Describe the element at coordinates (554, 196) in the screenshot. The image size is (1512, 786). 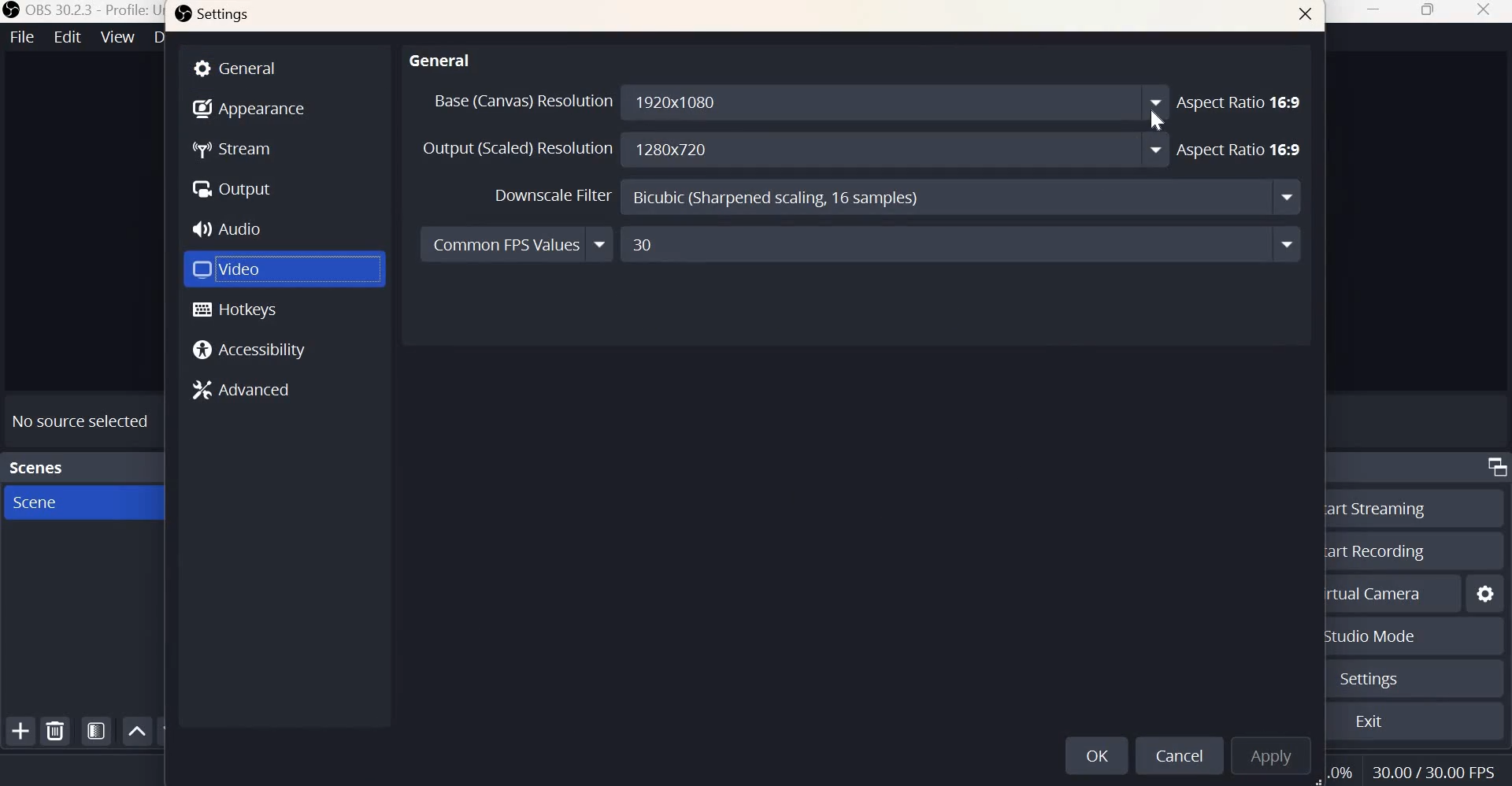
I see `Downscale Filter` at that location.